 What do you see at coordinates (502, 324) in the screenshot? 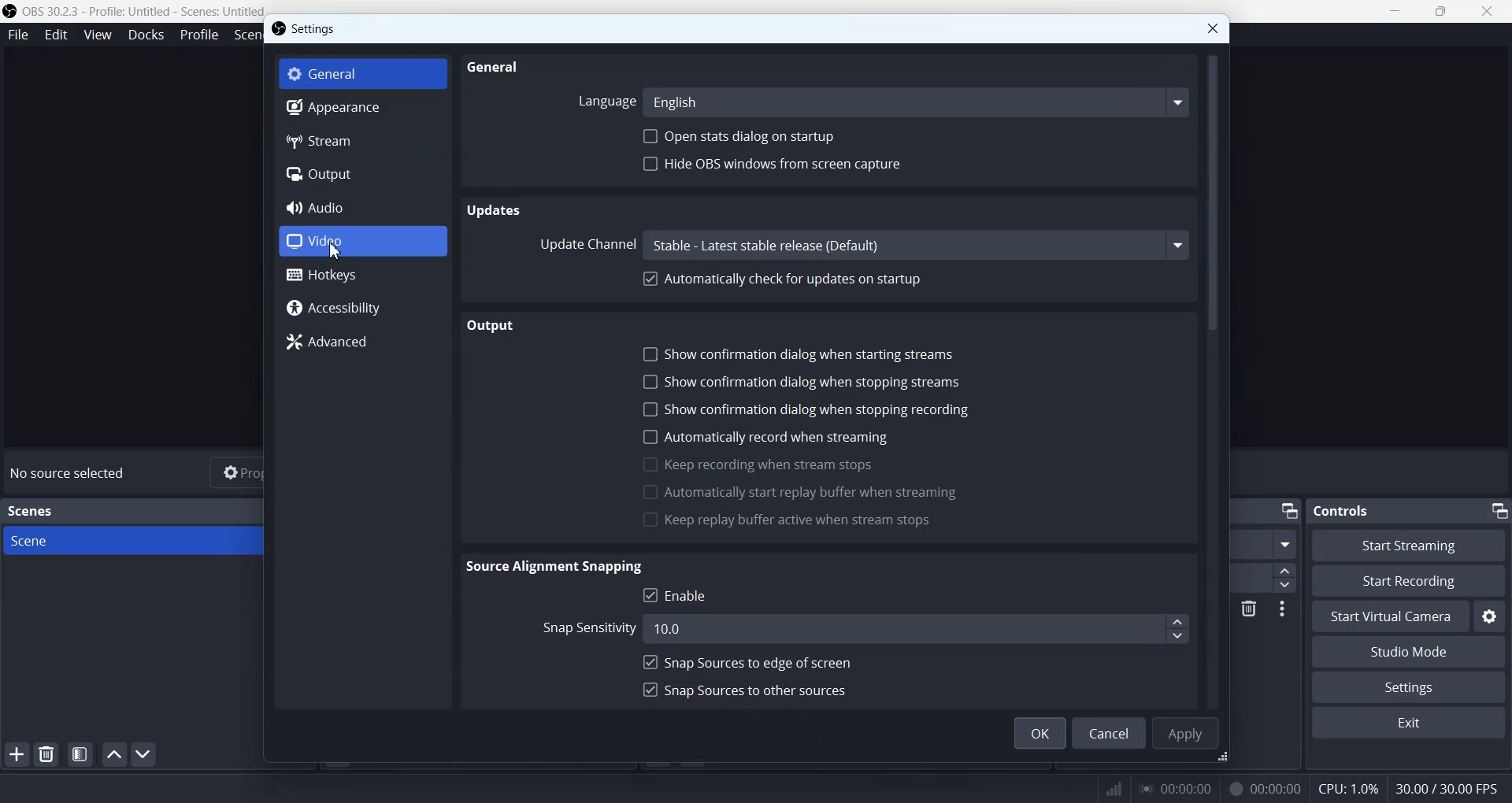
I see `Output` at bounding box center [502, 324].